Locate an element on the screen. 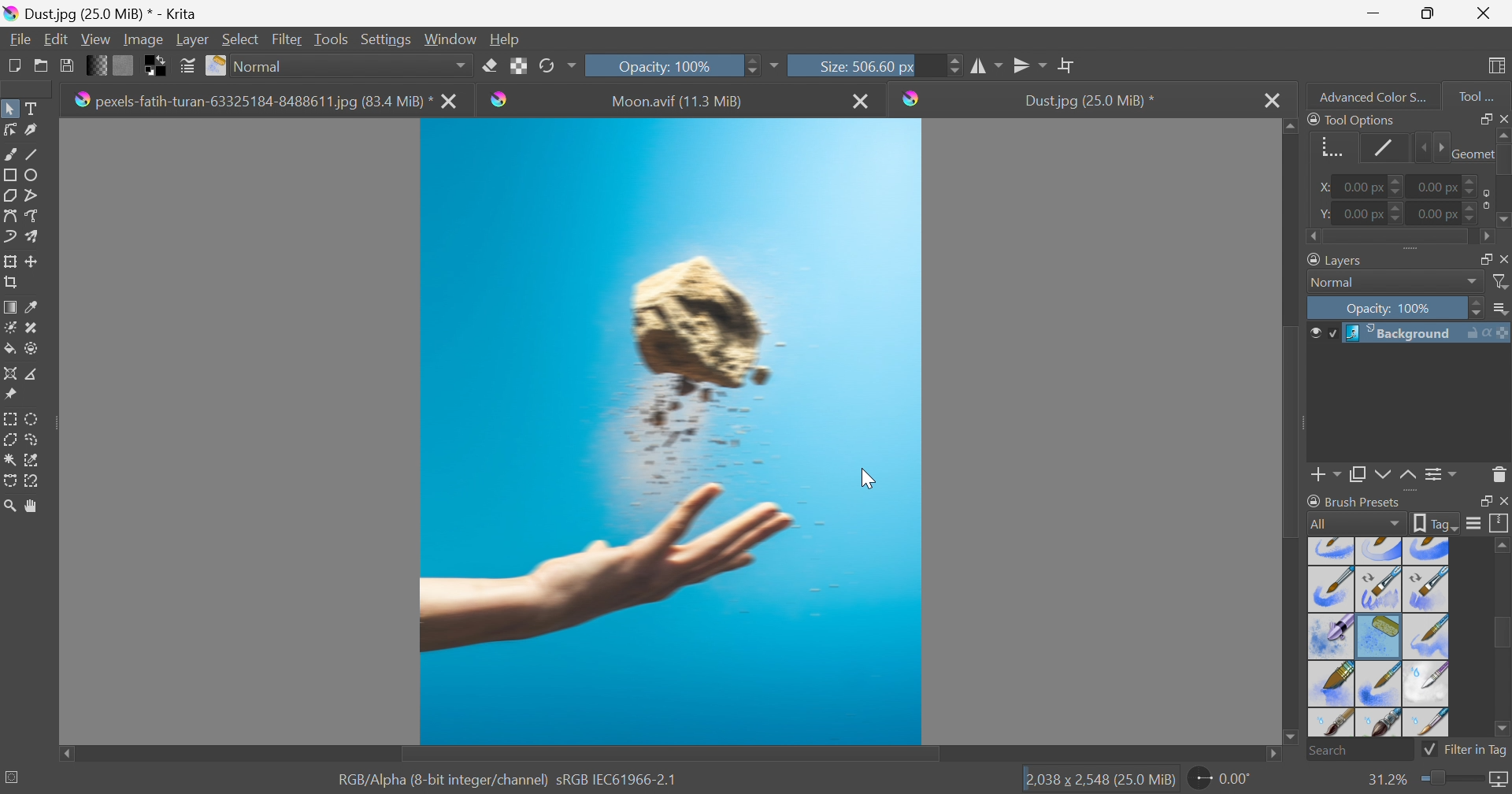  Dust.jpg (25.0 MB) is located at coordinates (1088, 101).